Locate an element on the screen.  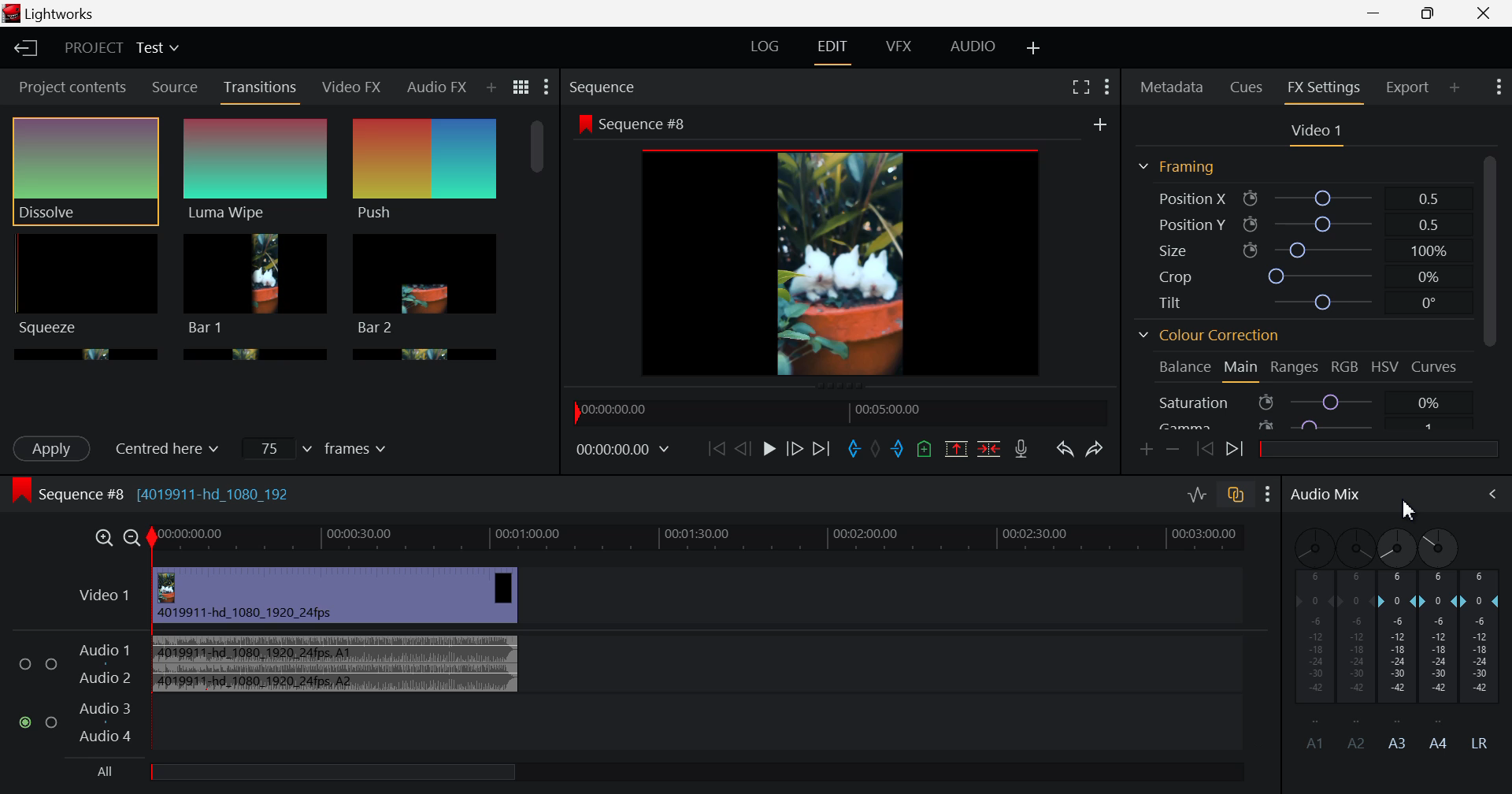
Size is located at coordinates (1300, 247).